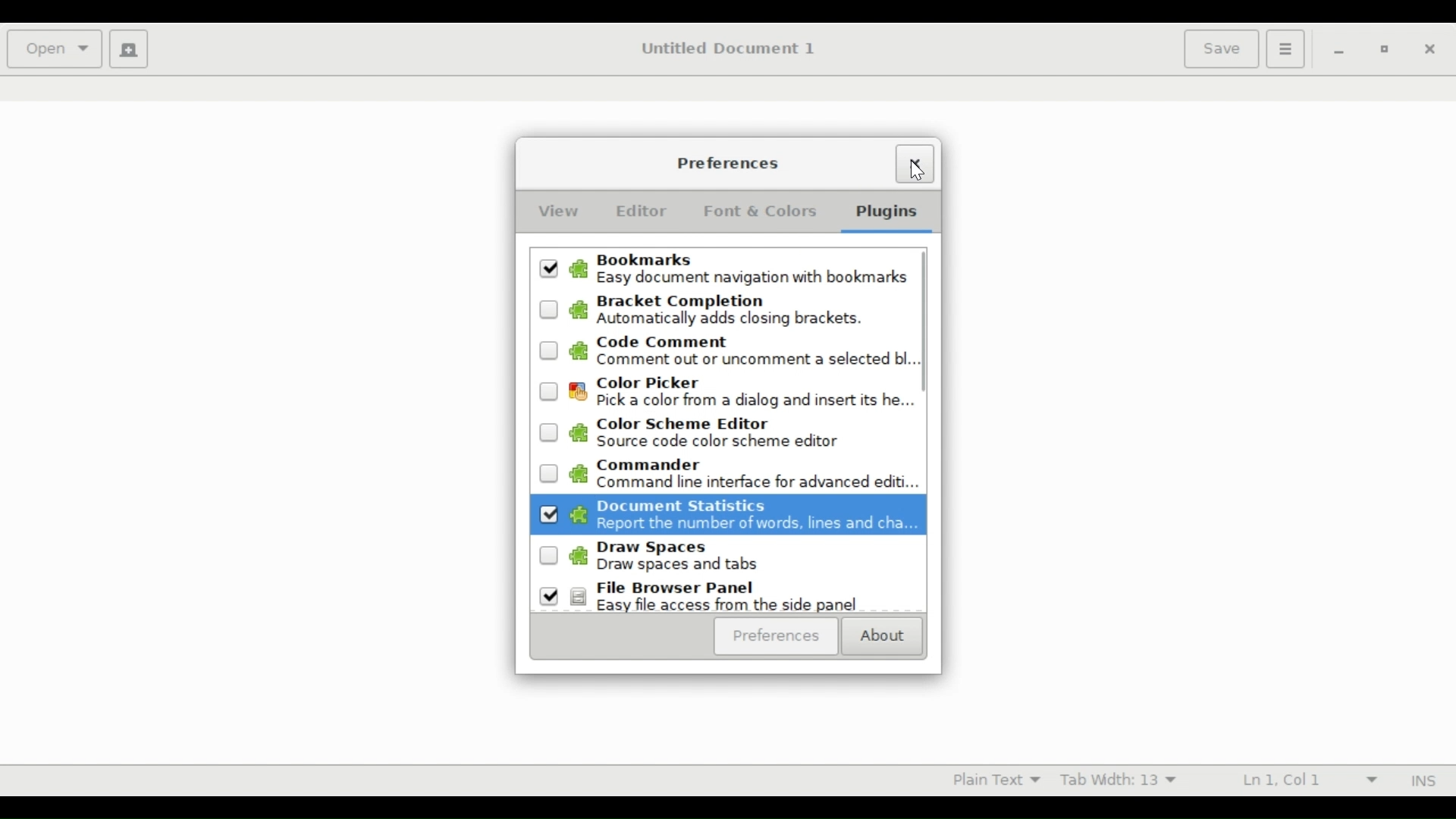  Describe the element at coordinates (778, 638) in the screenshot. I see `Preferences` at that location.